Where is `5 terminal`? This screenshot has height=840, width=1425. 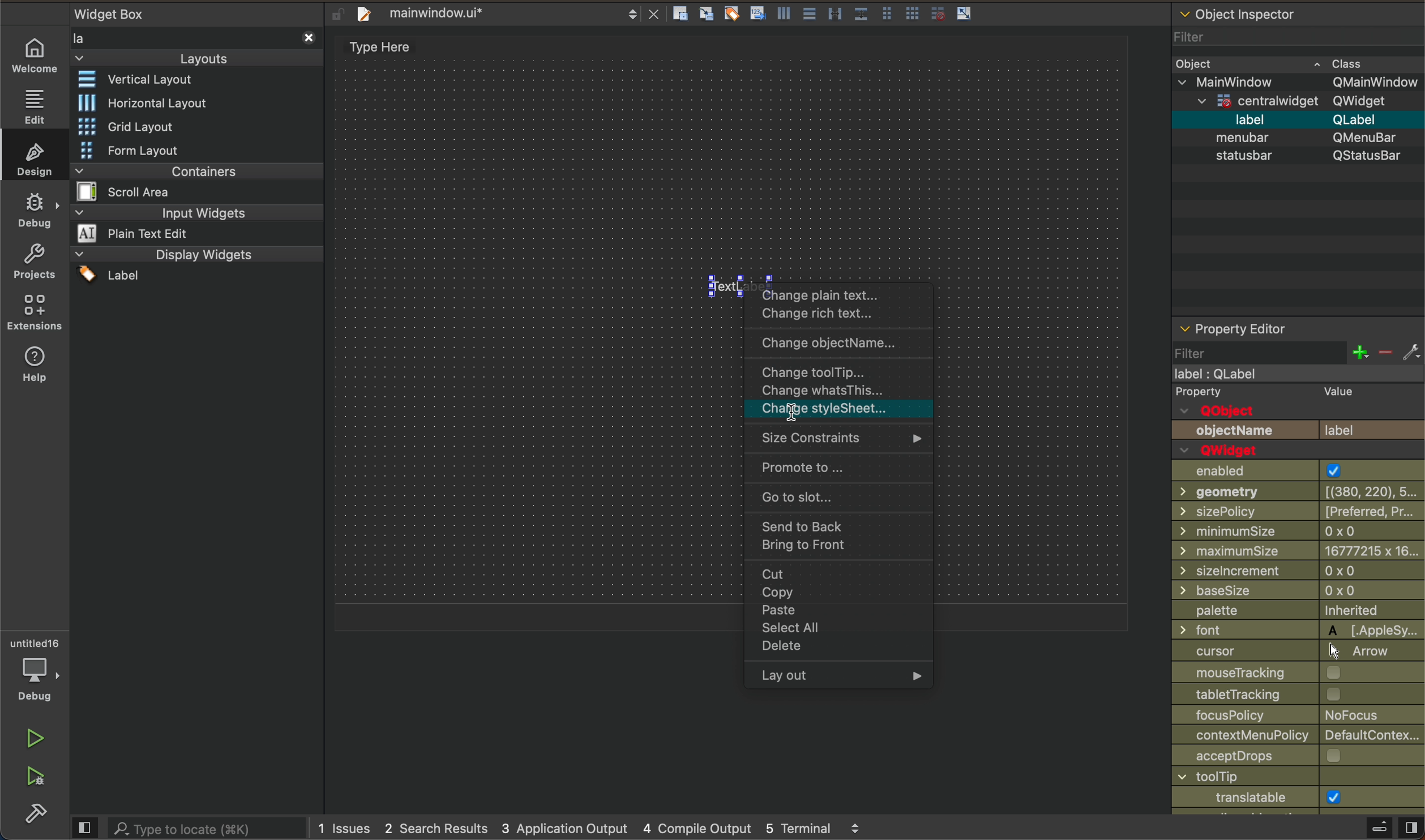
5 terminal is located at coordinates (823, 825).